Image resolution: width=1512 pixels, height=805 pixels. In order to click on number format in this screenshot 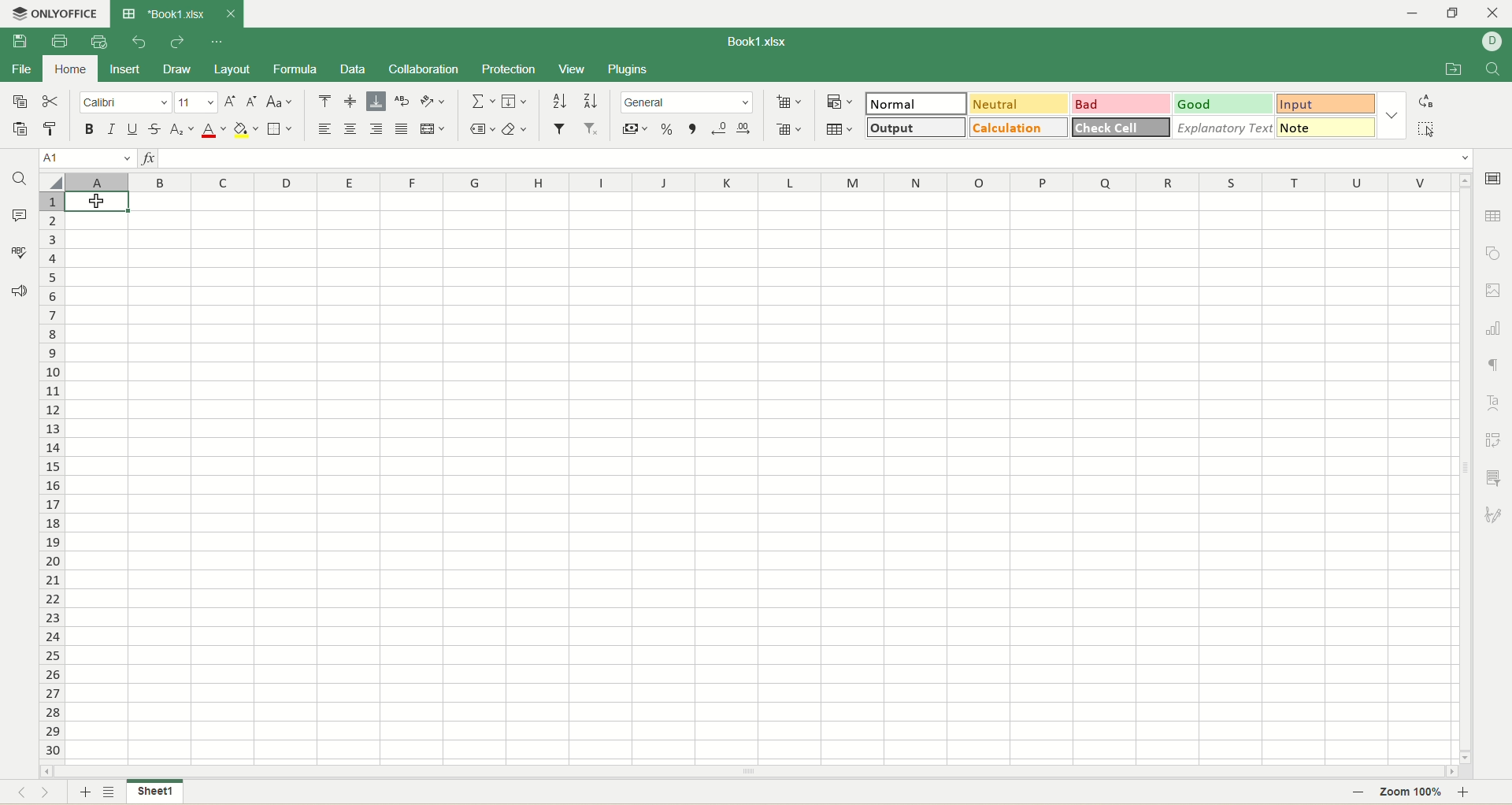, I will do `click(687, 102)`.